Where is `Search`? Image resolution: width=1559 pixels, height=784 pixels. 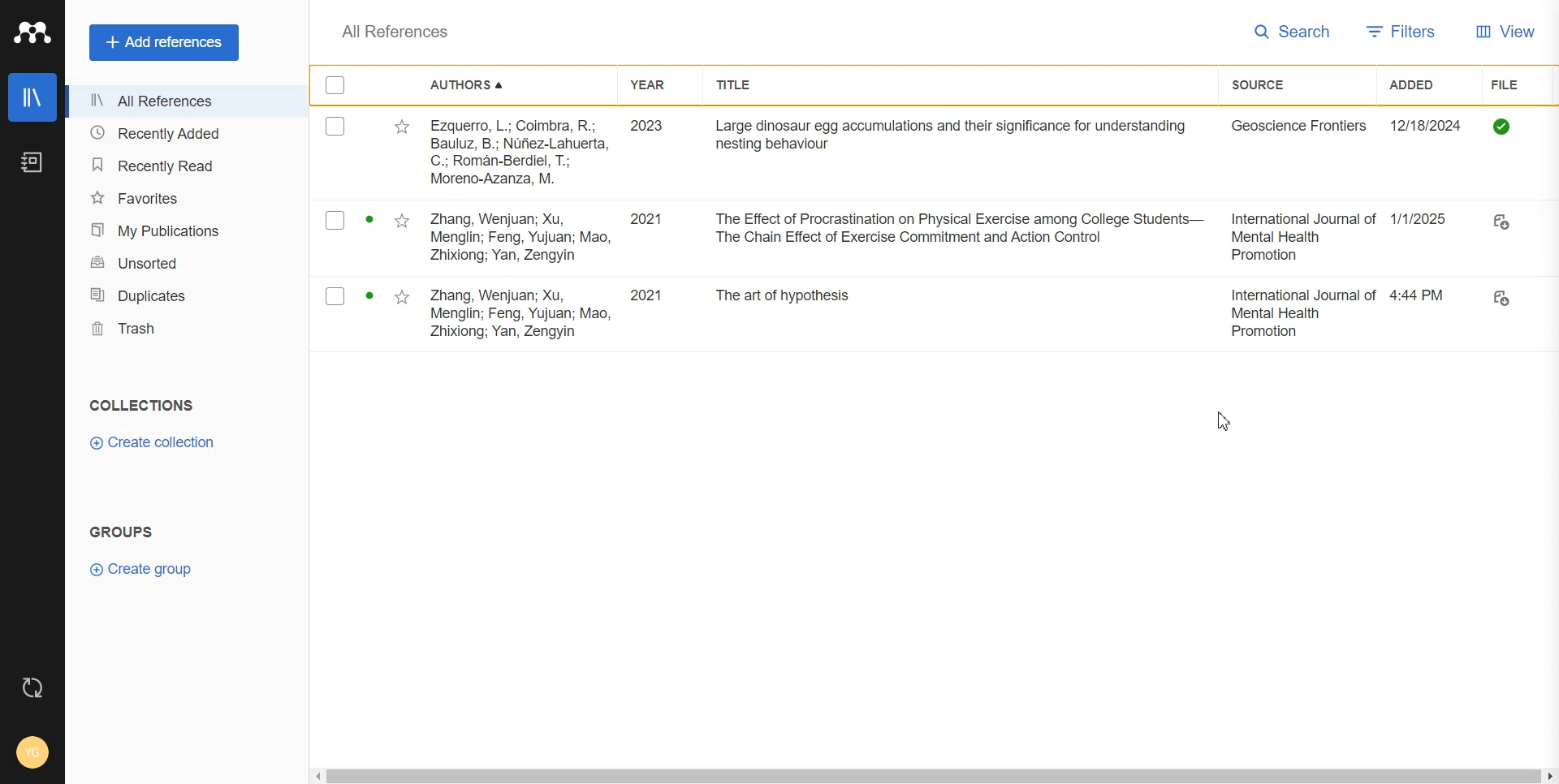 Search is located at coordinates (1295, 31).